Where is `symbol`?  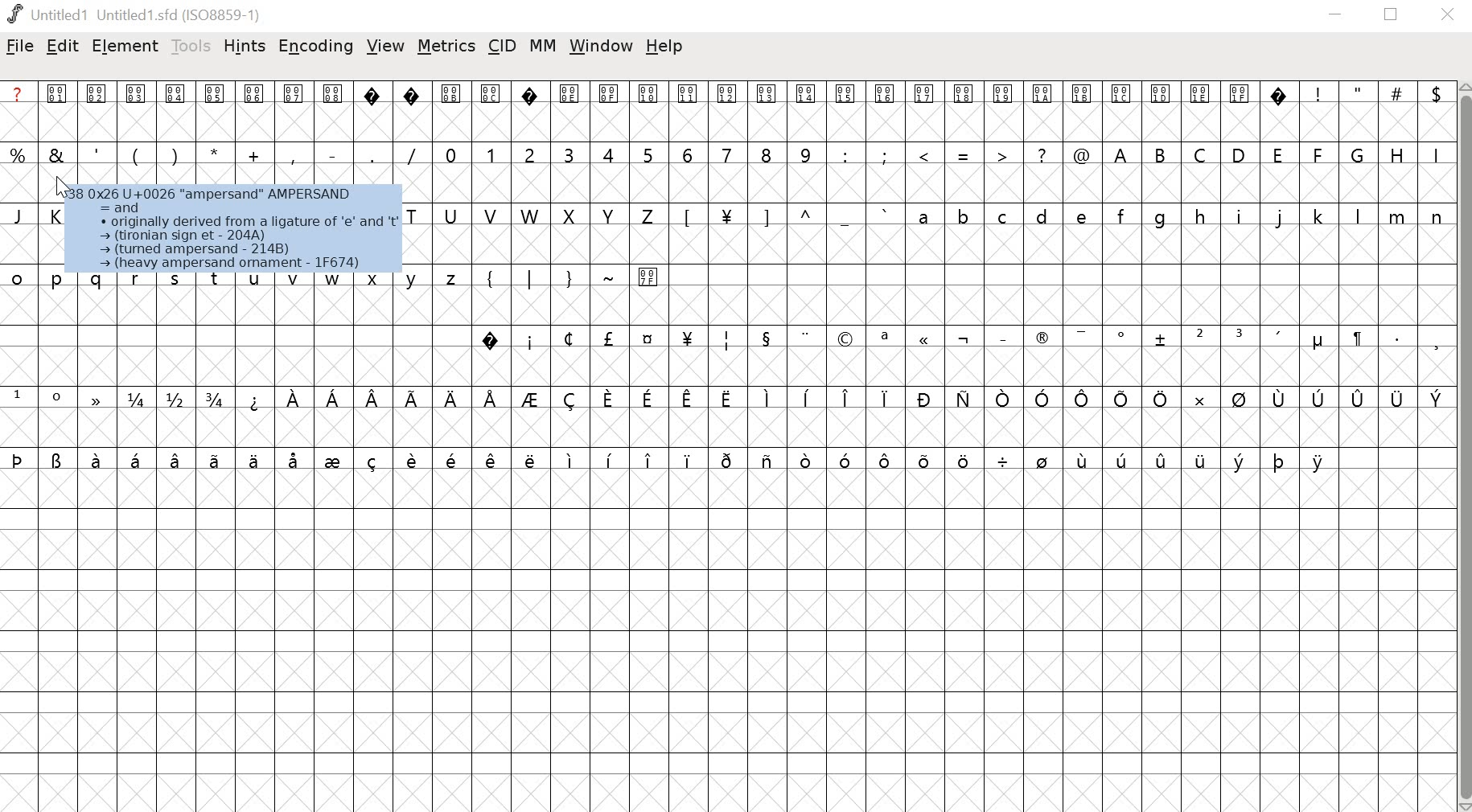
symbol is located at coordinates (1239, 399).